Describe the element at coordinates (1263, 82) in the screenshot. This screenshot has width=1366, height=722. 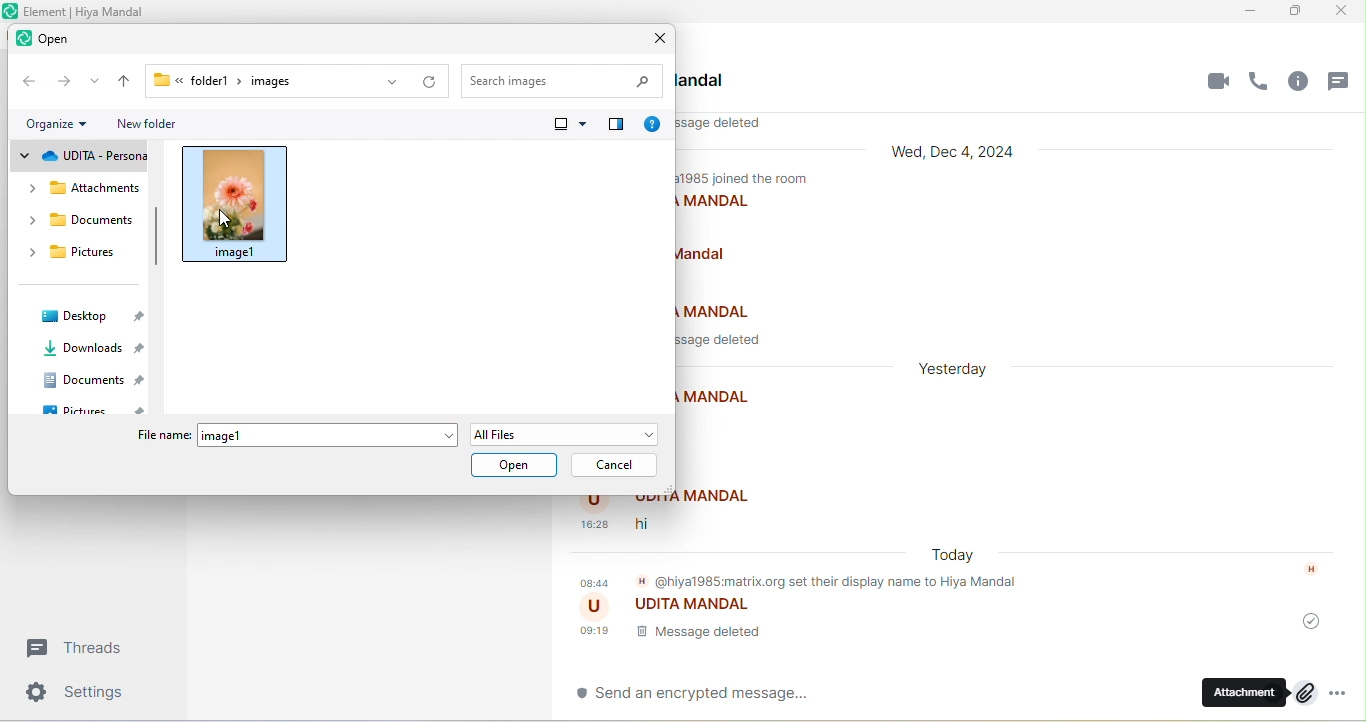
I see `voice call` at that location.